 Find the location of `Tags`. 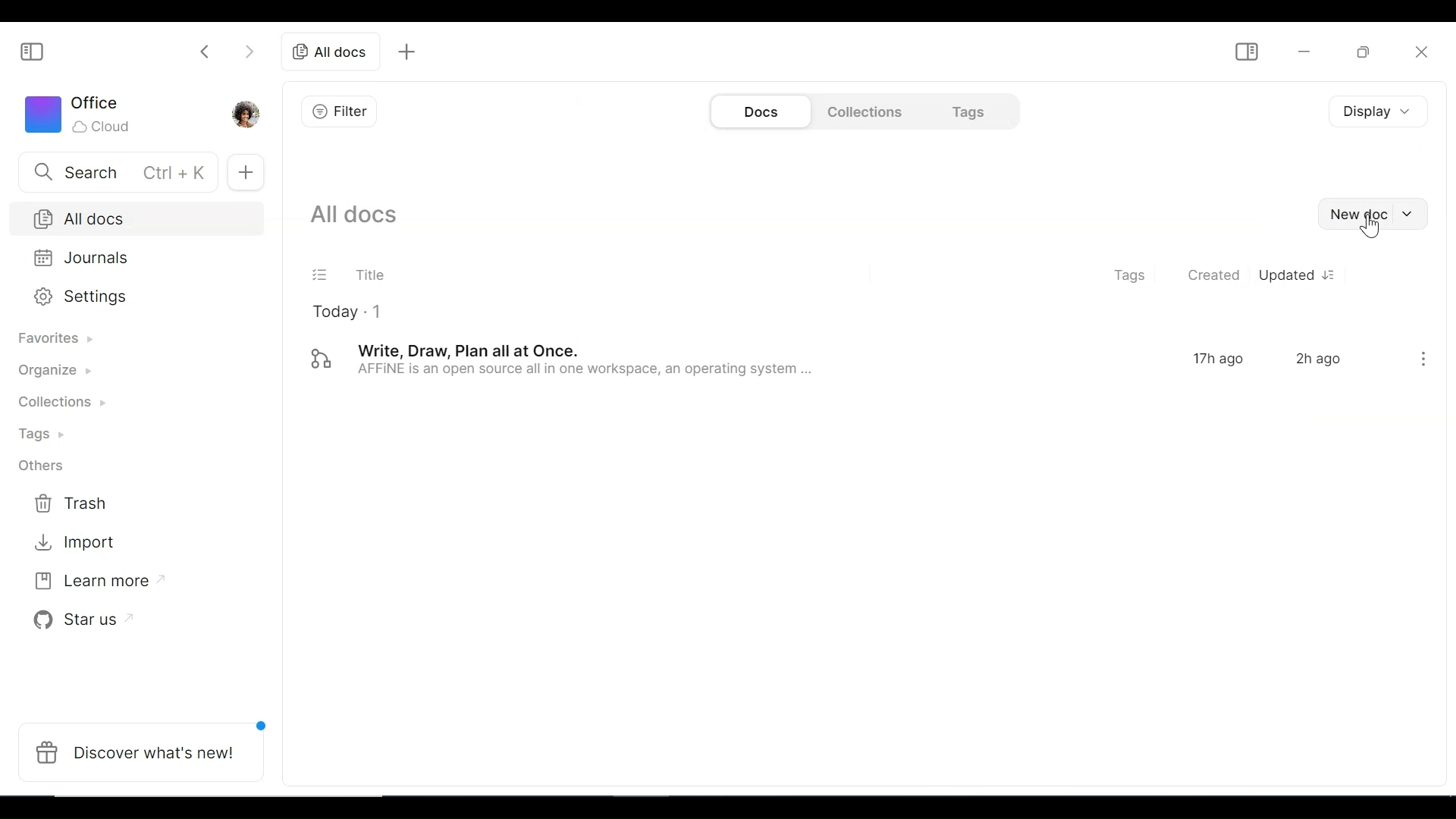

Tags is located at coordinates (971, 111).